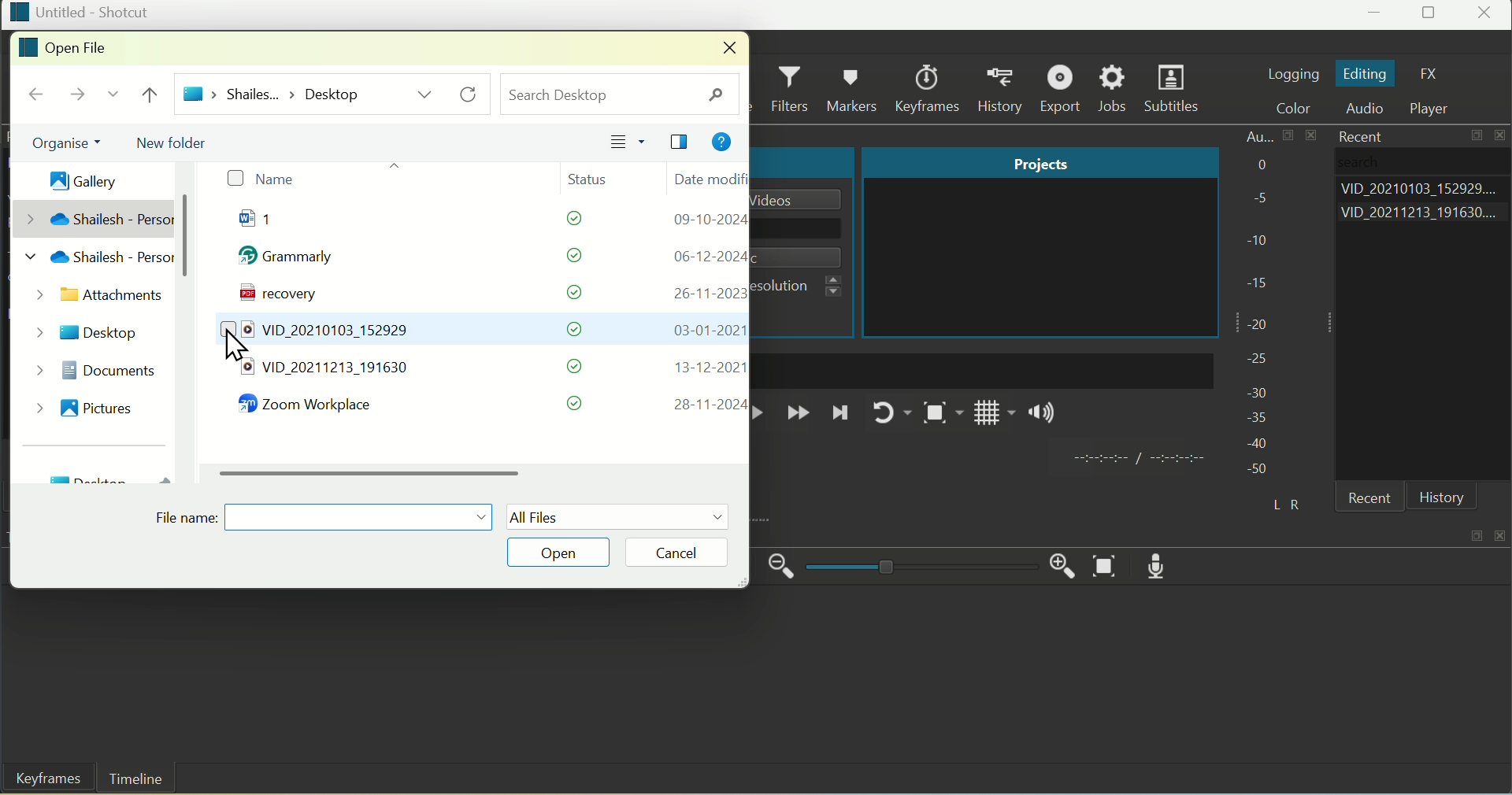  What do you see at coordinates (840, 417) in the screenshot?
I see `Next` at bounding box center [840, 417].